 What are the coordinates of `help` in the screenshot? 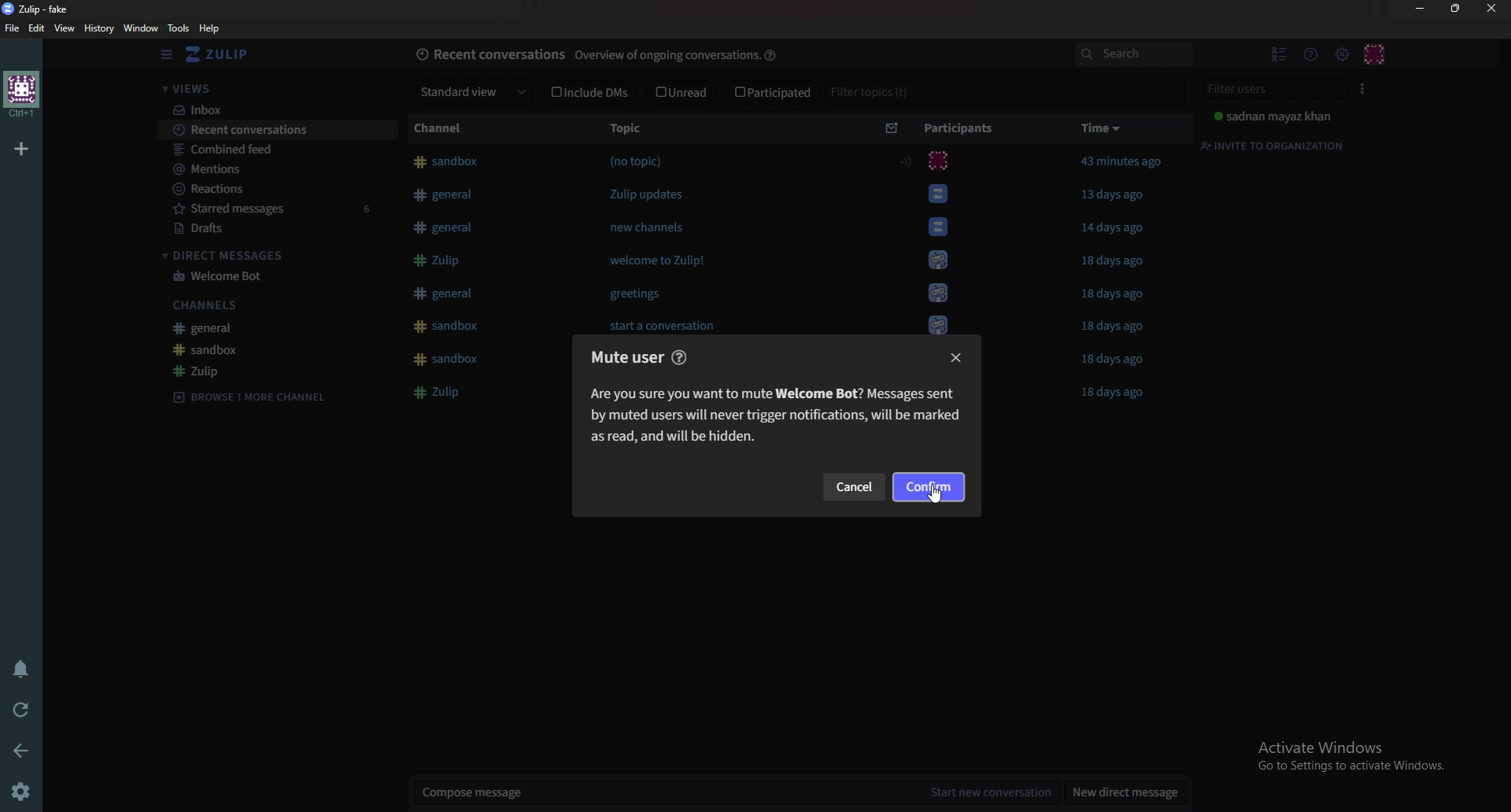 It's located at (676, 356).